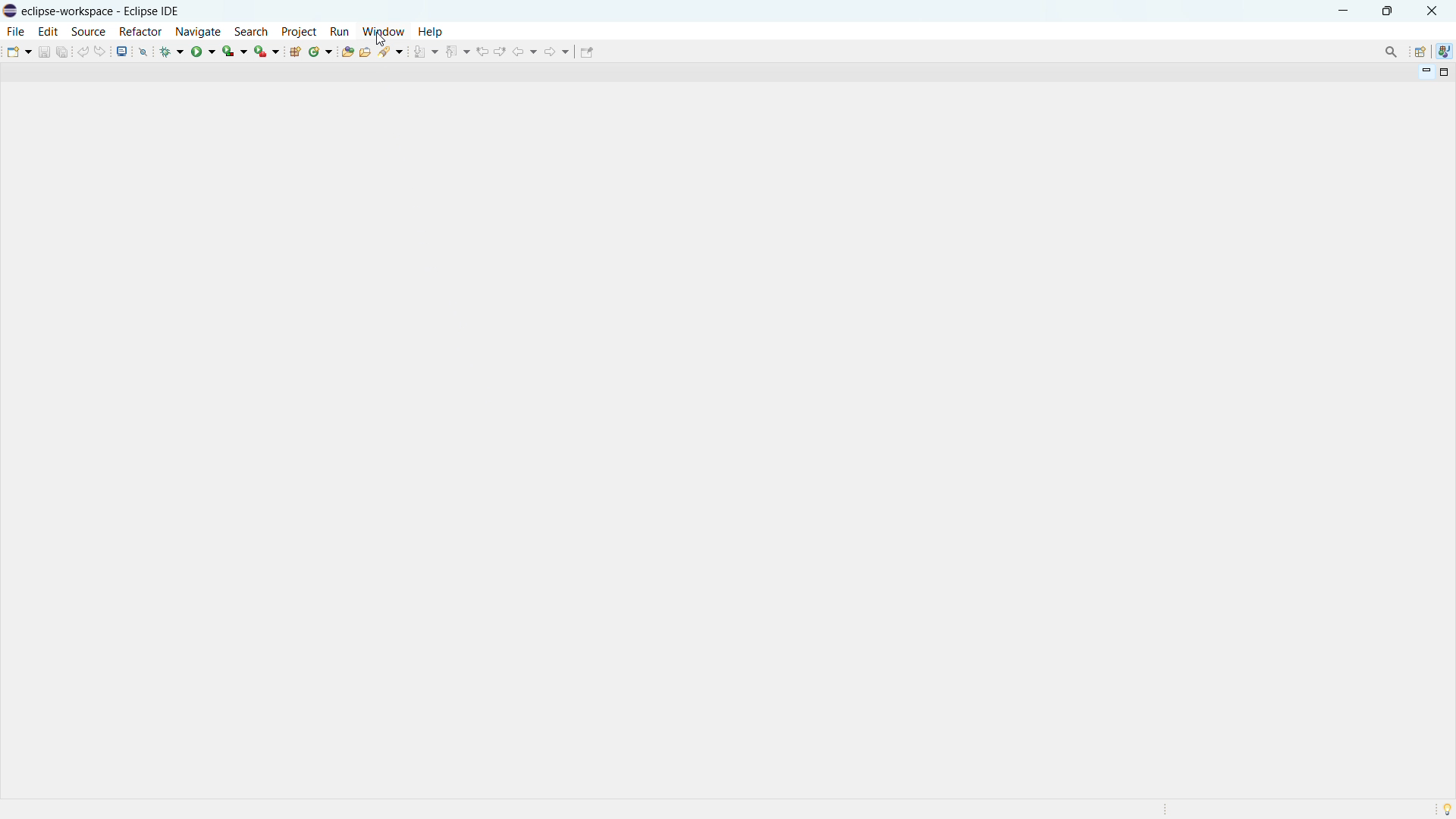 This screenshot has height=819, width=1456. What do you see at coordinates (11, 11) in the screenshot?
I see `logo` at bounding box center [11, 11].